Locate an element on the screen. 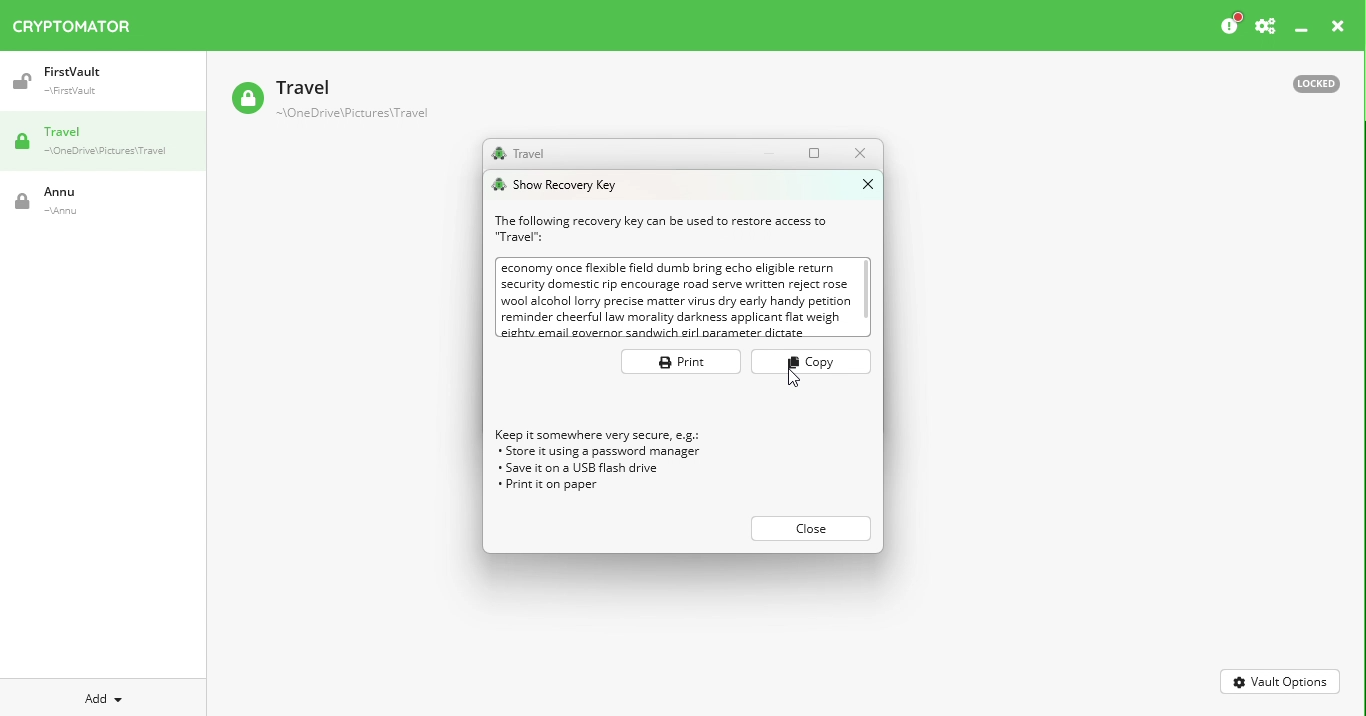  Cryptomator is located at coordinates (72, 22).